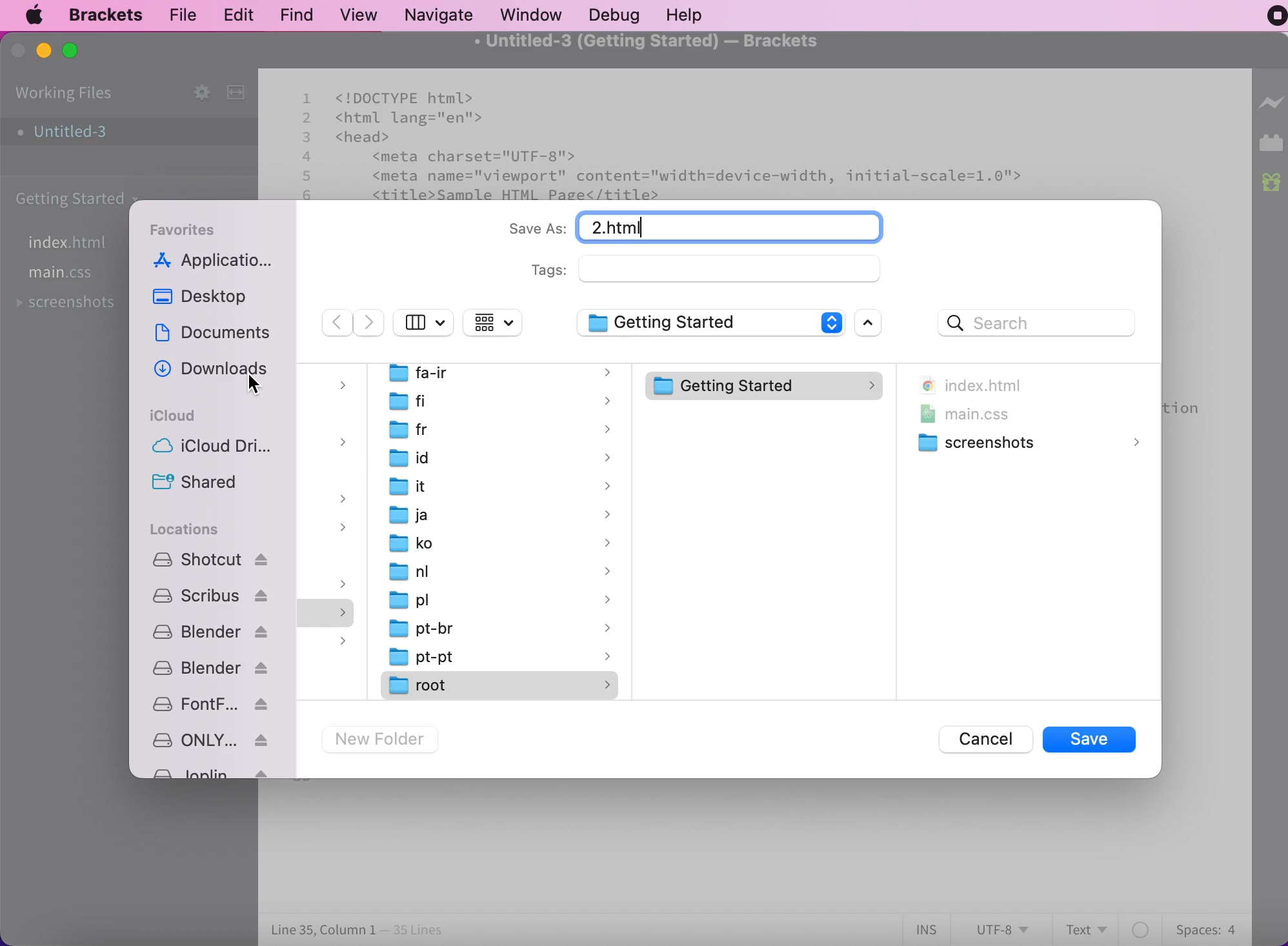 The height and width of the screenshot is (946, 1288). Describe the element at coordinates (965, 413) in the screenshot. I see `main.css` at that location.